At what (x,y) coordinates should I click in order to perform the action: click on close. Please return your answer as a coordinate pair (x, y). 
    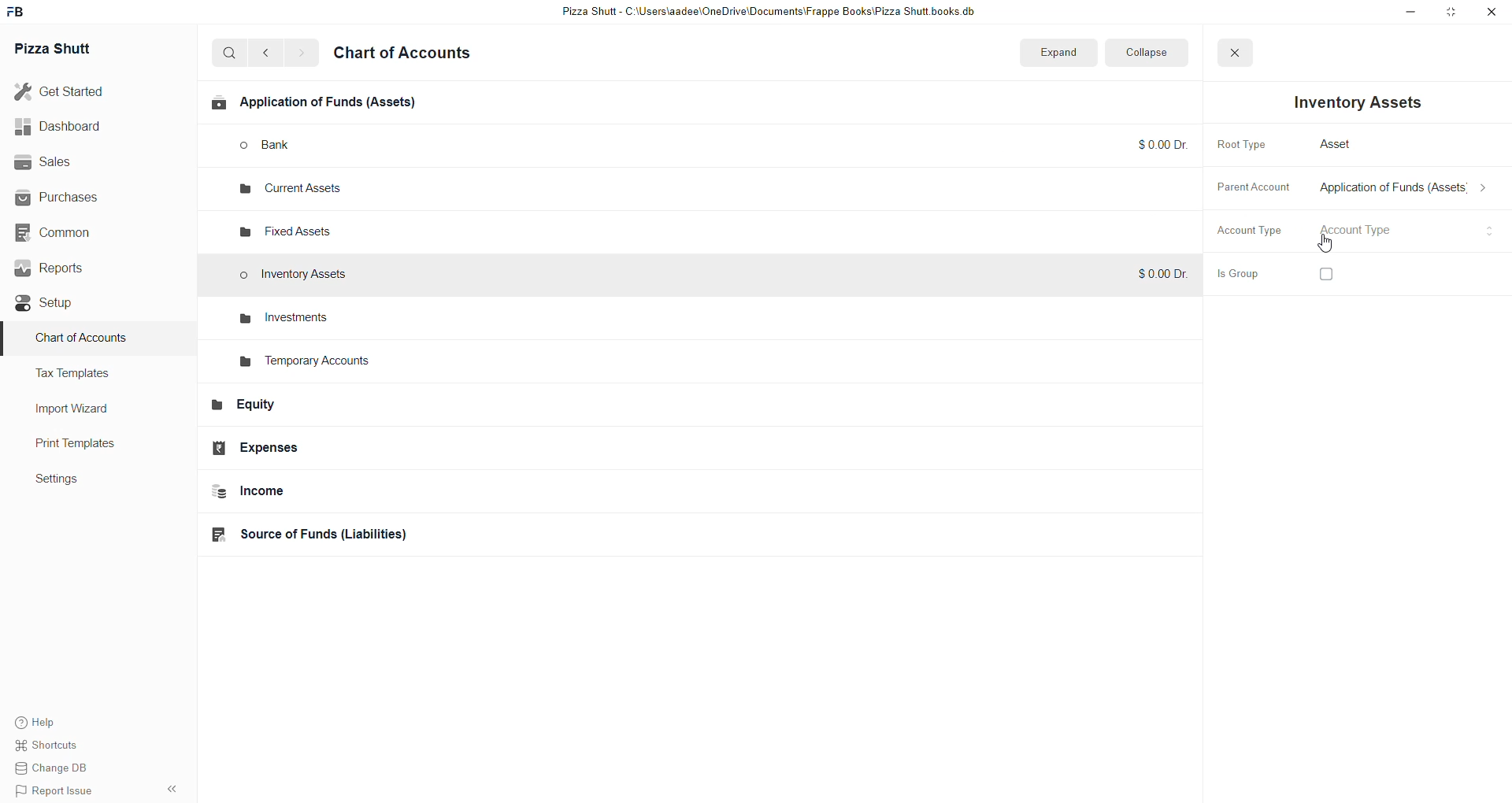
    Looking at the image, I should click on (1494, 13).